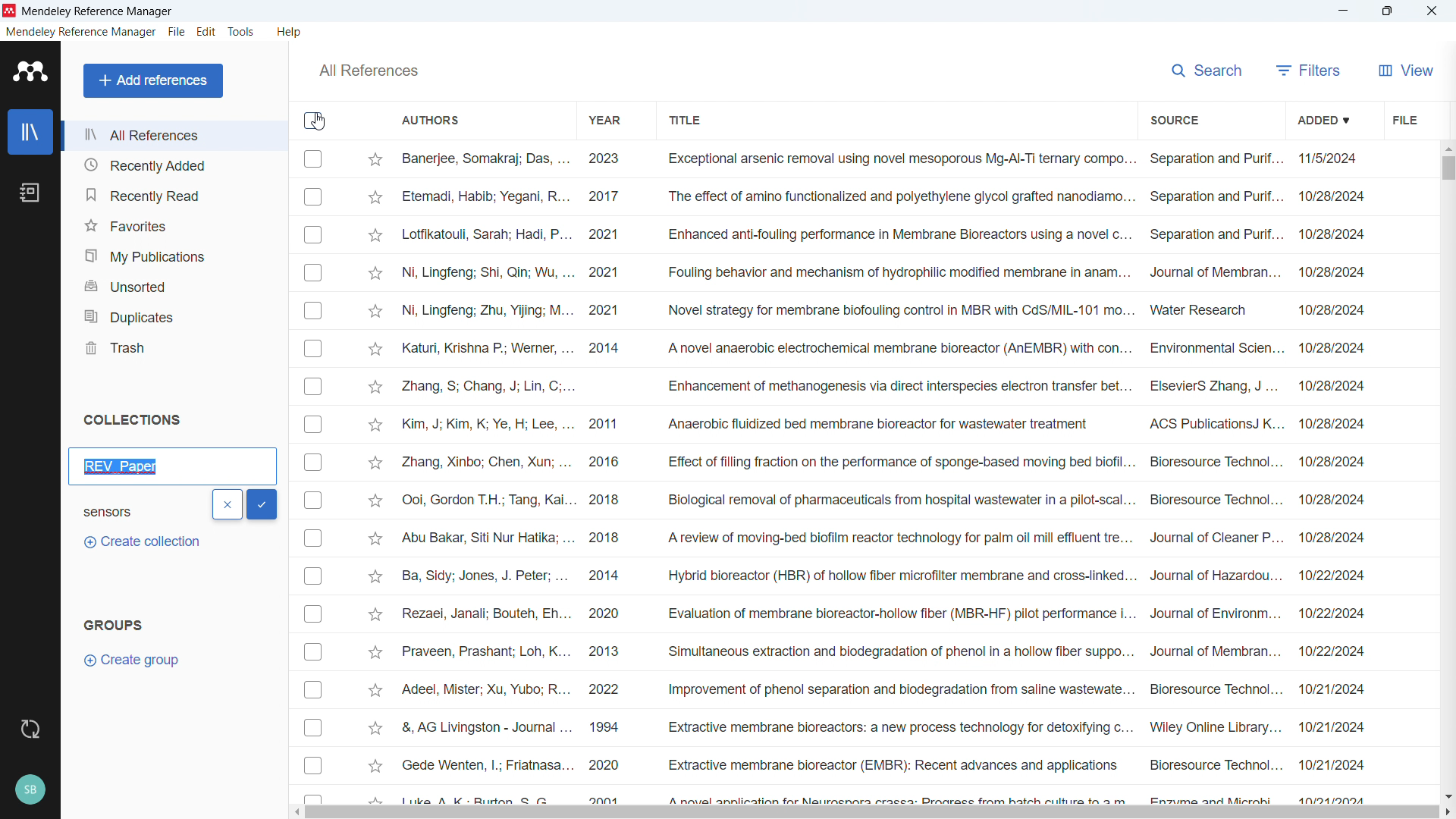 The height and width of the screenshot is (819, 1456). I want to click on Select respective publication, so click(312, 576).